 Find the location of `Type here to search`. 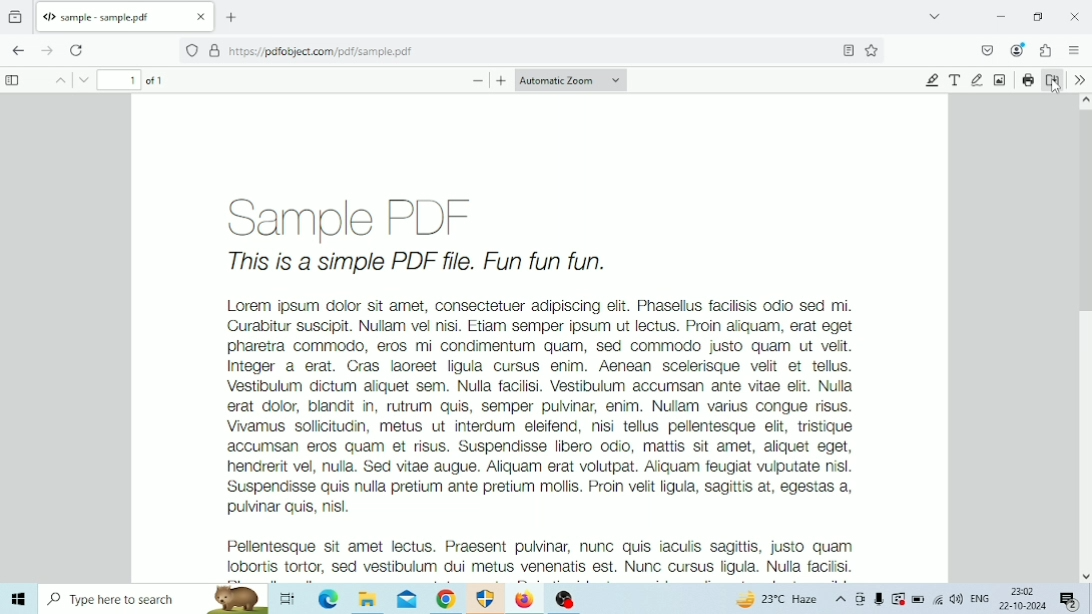

Type here to search is located at coordinates (154, 599).